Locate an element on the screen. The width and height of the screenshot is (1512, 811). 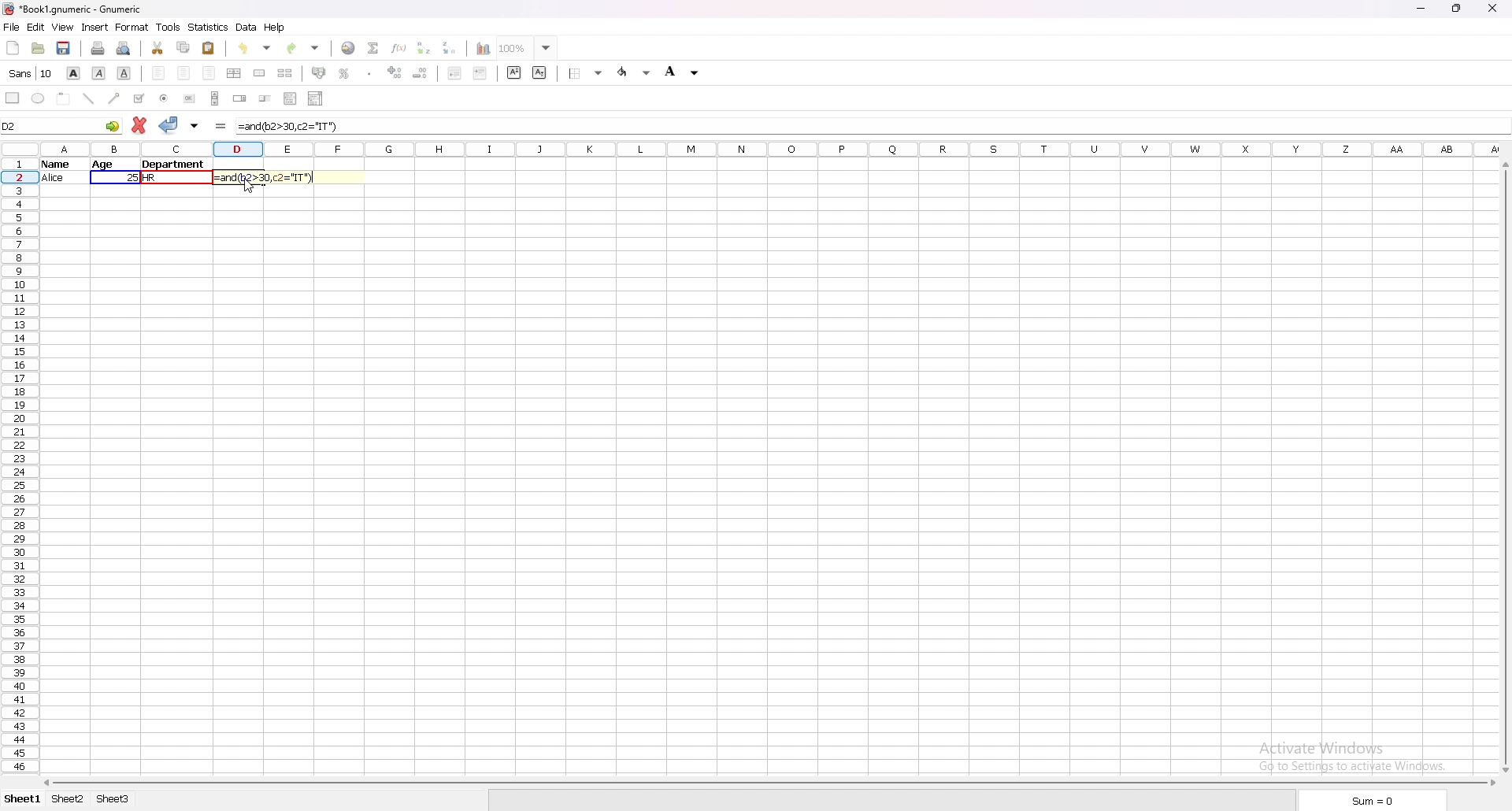
radio button is located at coordinates (164, 98).